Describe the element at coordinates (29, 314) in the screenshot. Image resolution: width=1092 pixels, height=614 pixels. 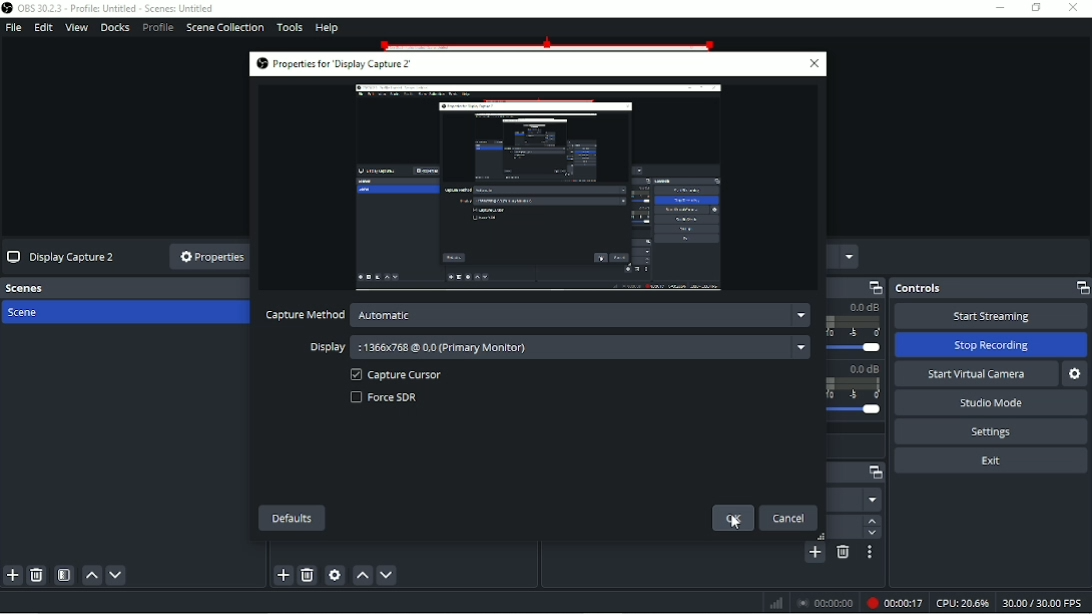
I see `Scene` at that location.